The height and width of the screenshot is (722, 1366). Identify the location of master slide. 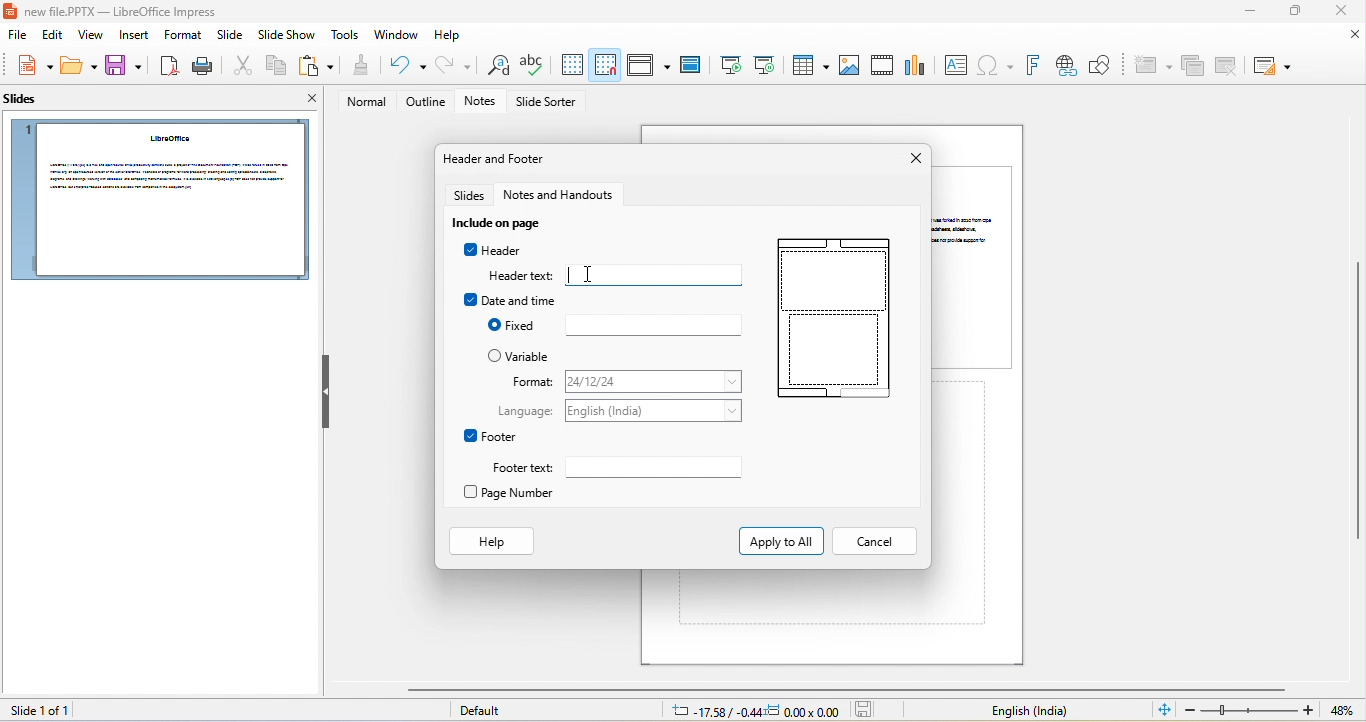
(690, 66).